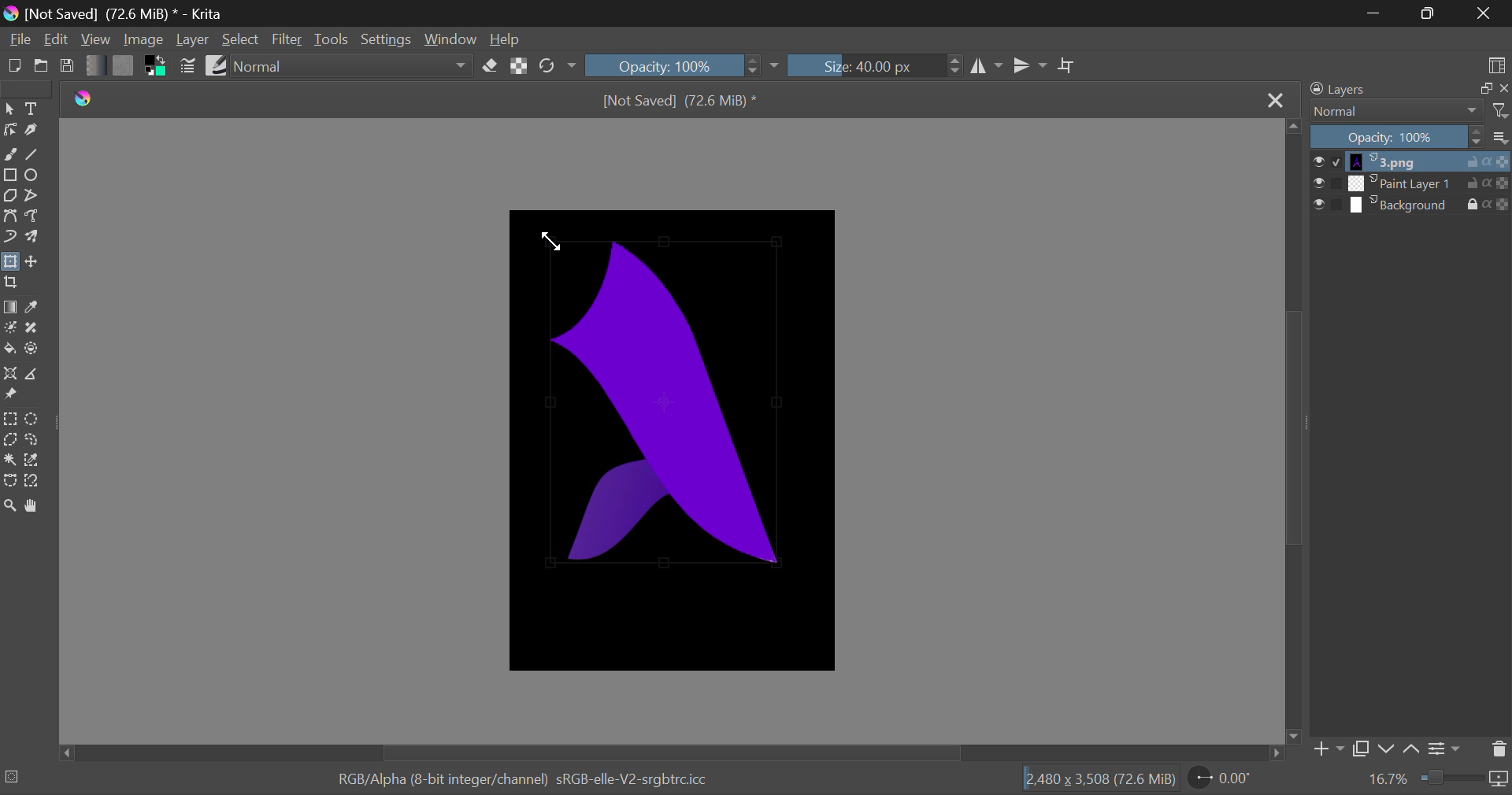  What do you see at coordinates (10, 460) in the screenshot?
I see `Cursor on Continuous Selection` at bounding box center [10, 460].